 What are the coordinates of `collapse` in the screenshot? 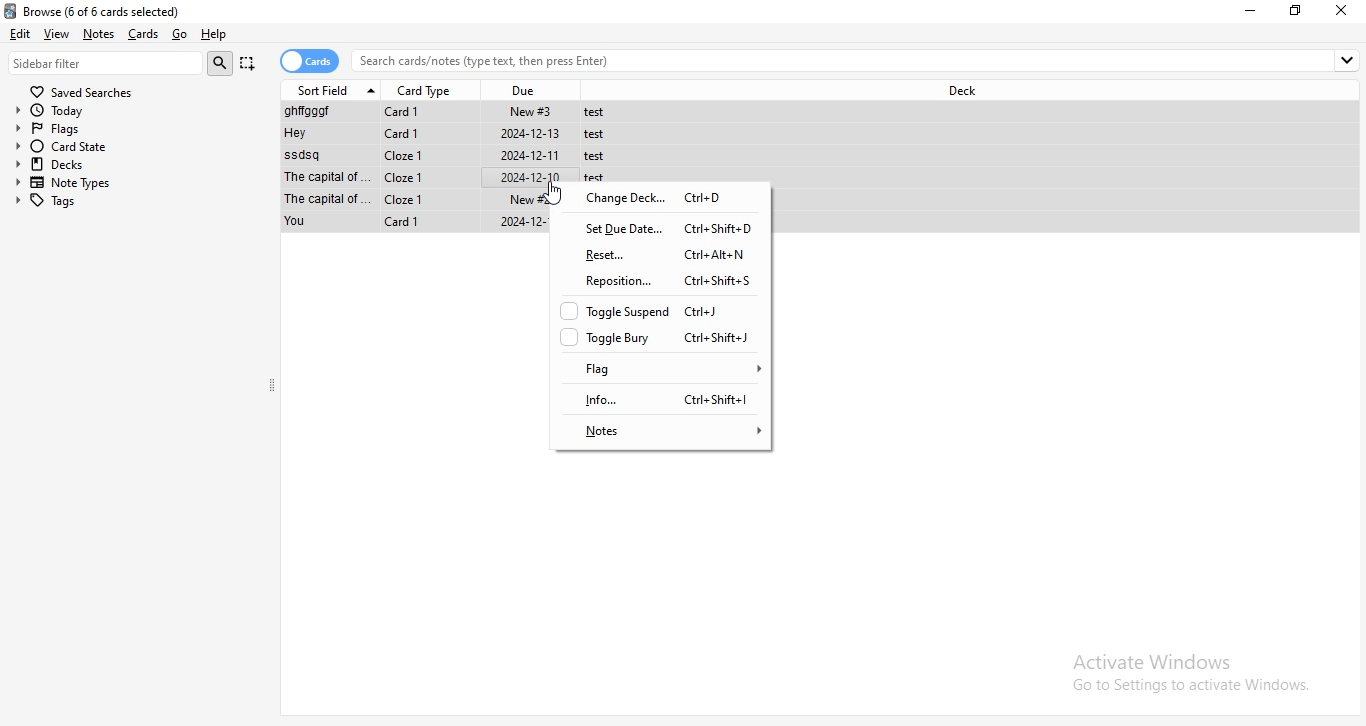 It's located at (273, 387).